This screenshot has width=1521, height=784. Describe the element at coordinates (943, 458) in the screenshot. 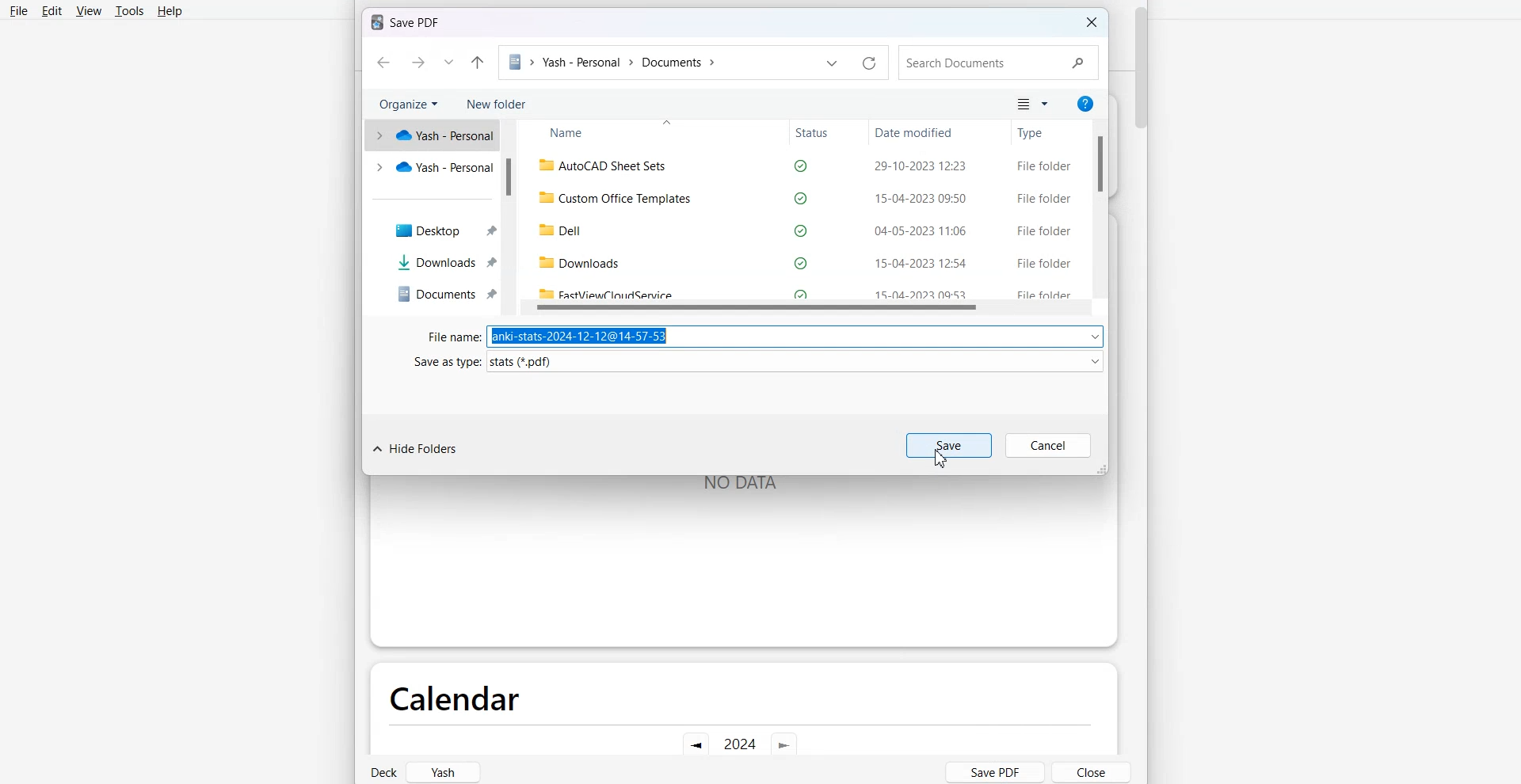

I see `cursor` at that location.